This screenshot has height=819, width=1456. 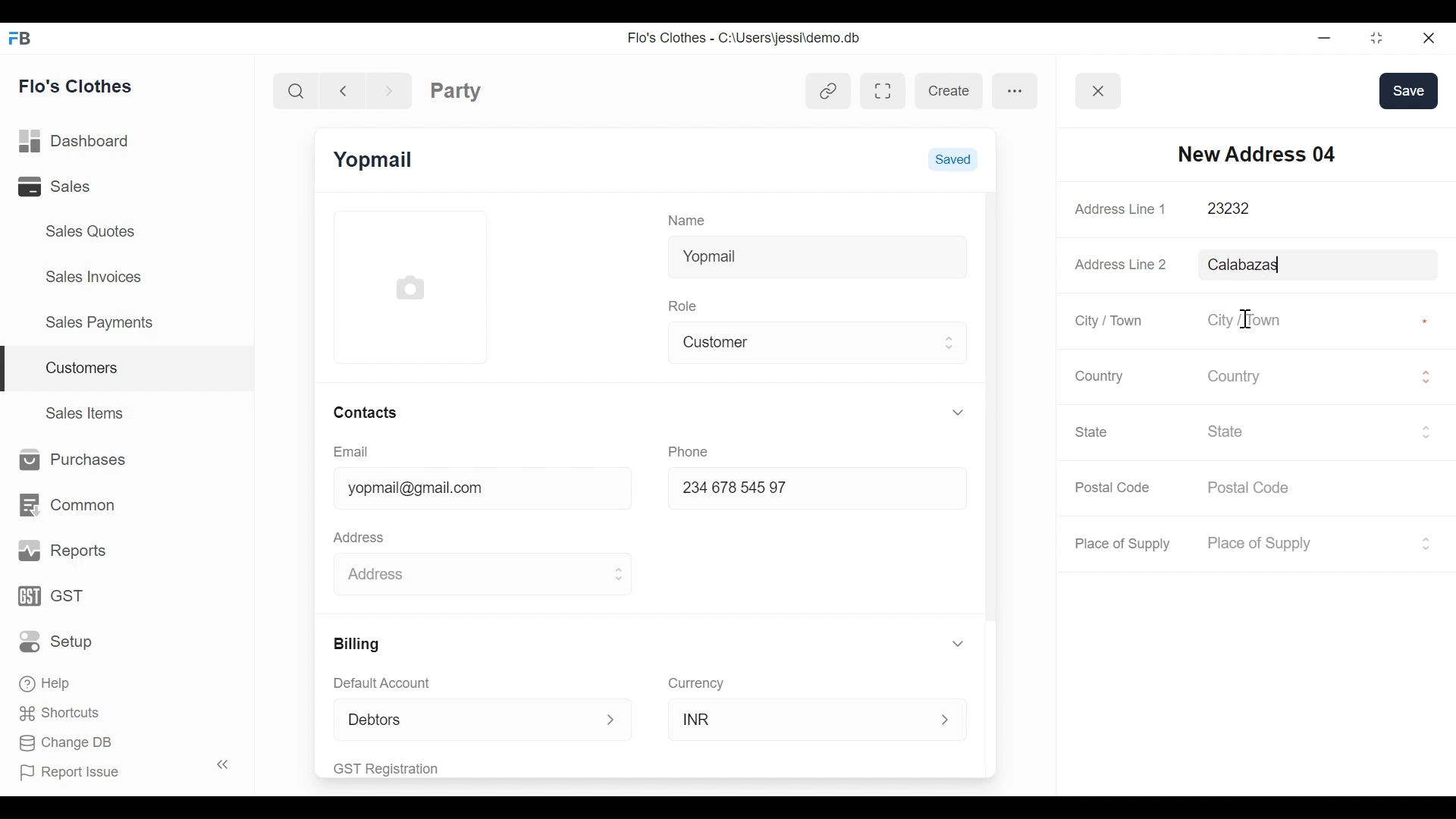 What do you see at coordinates (1308, 431) in the screenshot?
I see `State` at bounding box center [1308, 431].